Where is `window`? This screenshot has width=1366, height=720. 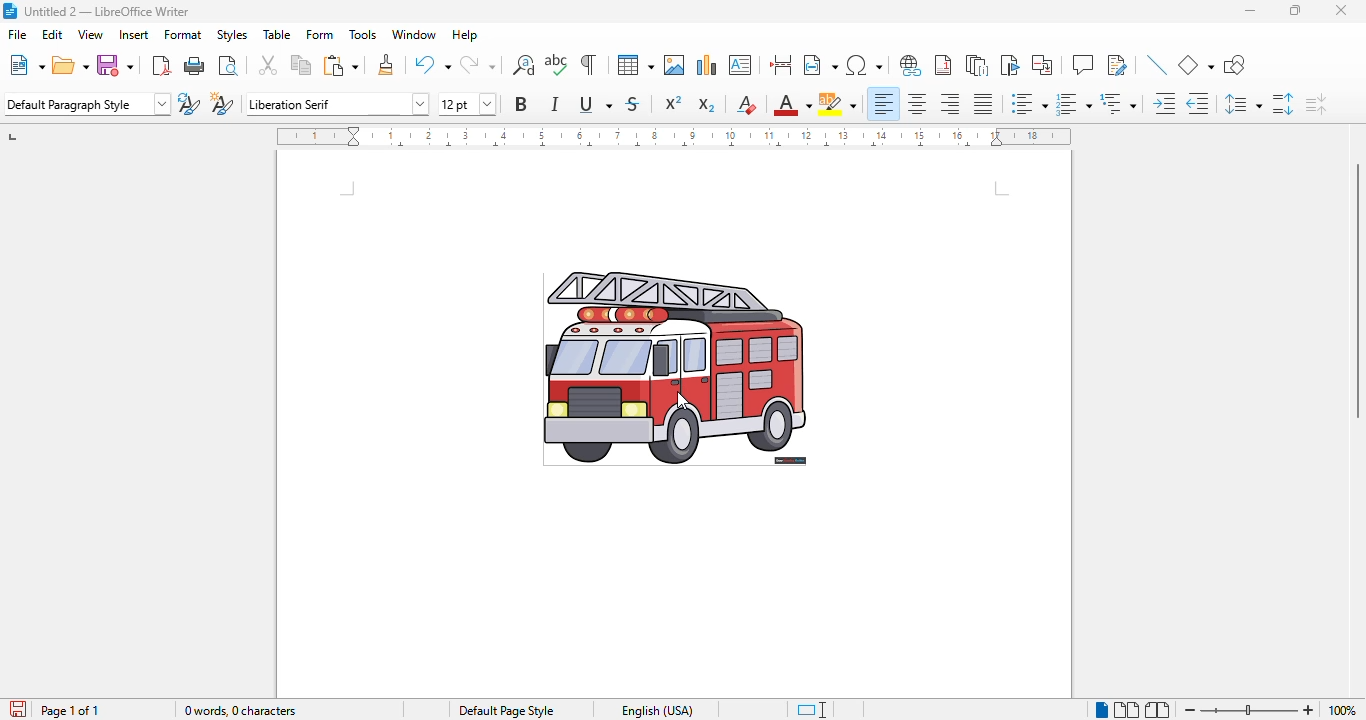
window is located at coordinates (414, 34).